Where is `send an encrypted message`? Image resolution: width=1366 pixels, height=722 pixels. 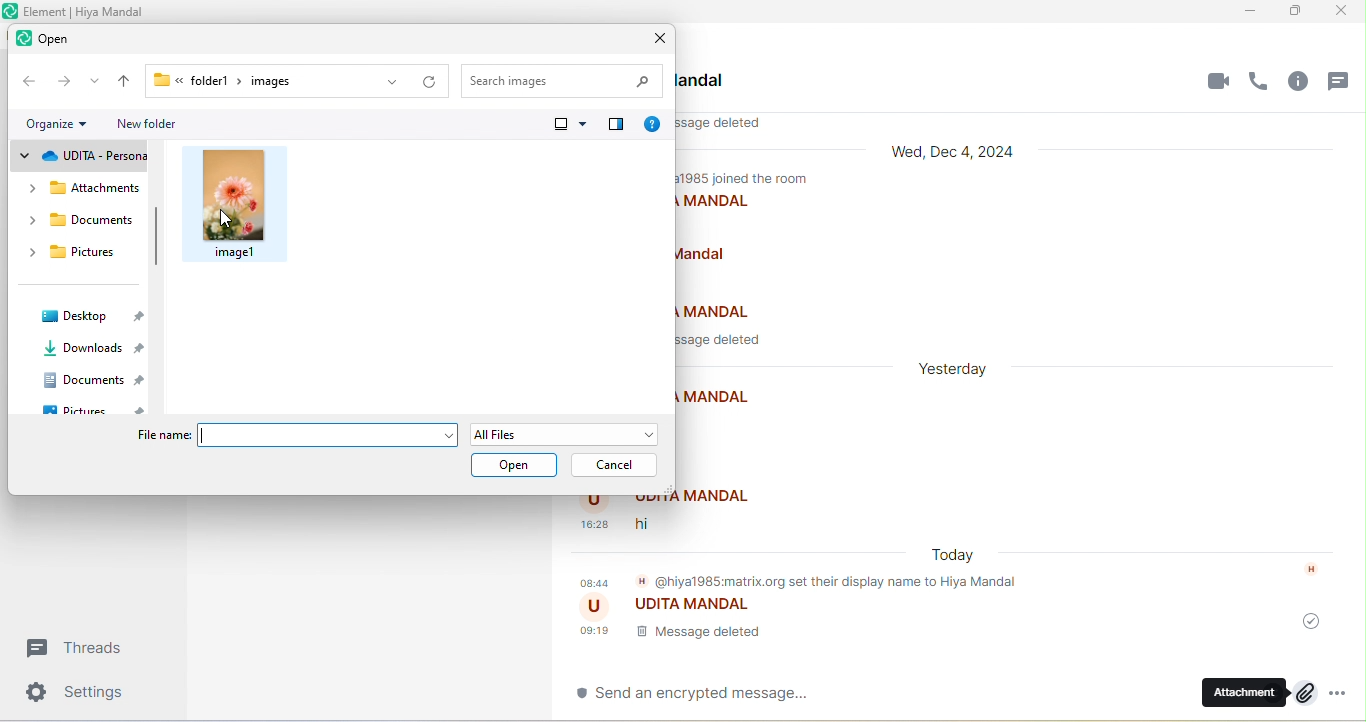
send an encrypted message is located at coordinates (699, 695).